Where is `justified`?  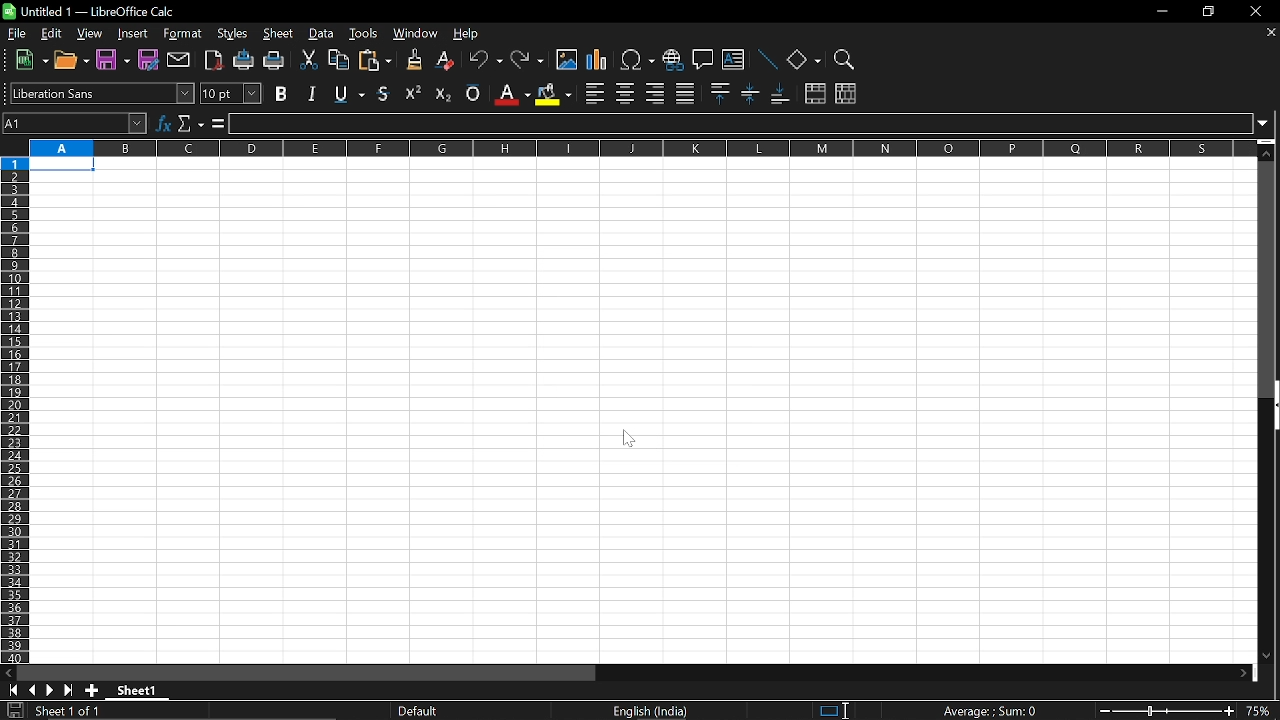 justified is located at coordinates (686, 94).